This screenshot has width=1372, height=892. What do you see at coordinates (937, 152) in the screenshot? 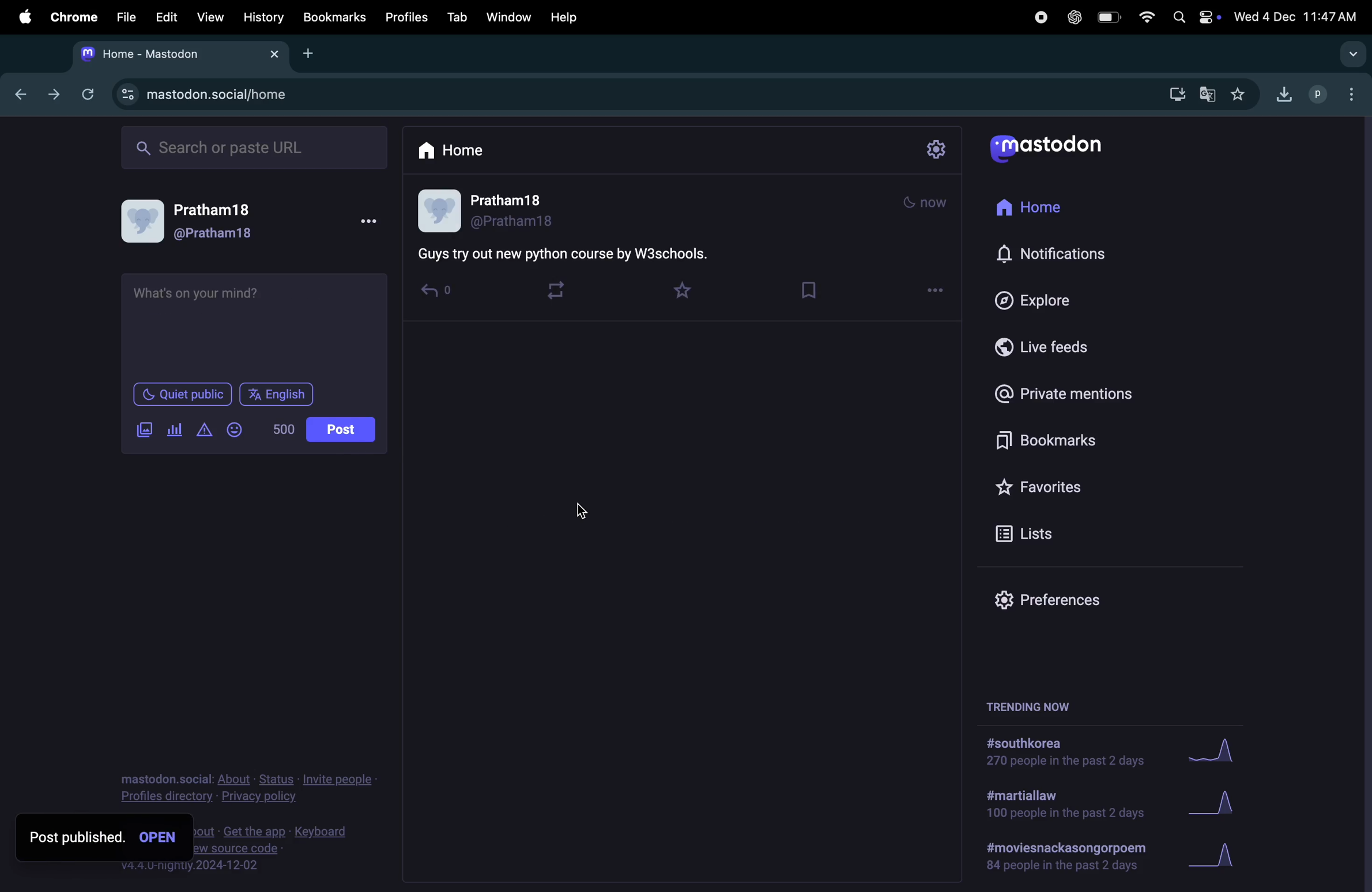
I see `setting` at bounding box center [937, 152].